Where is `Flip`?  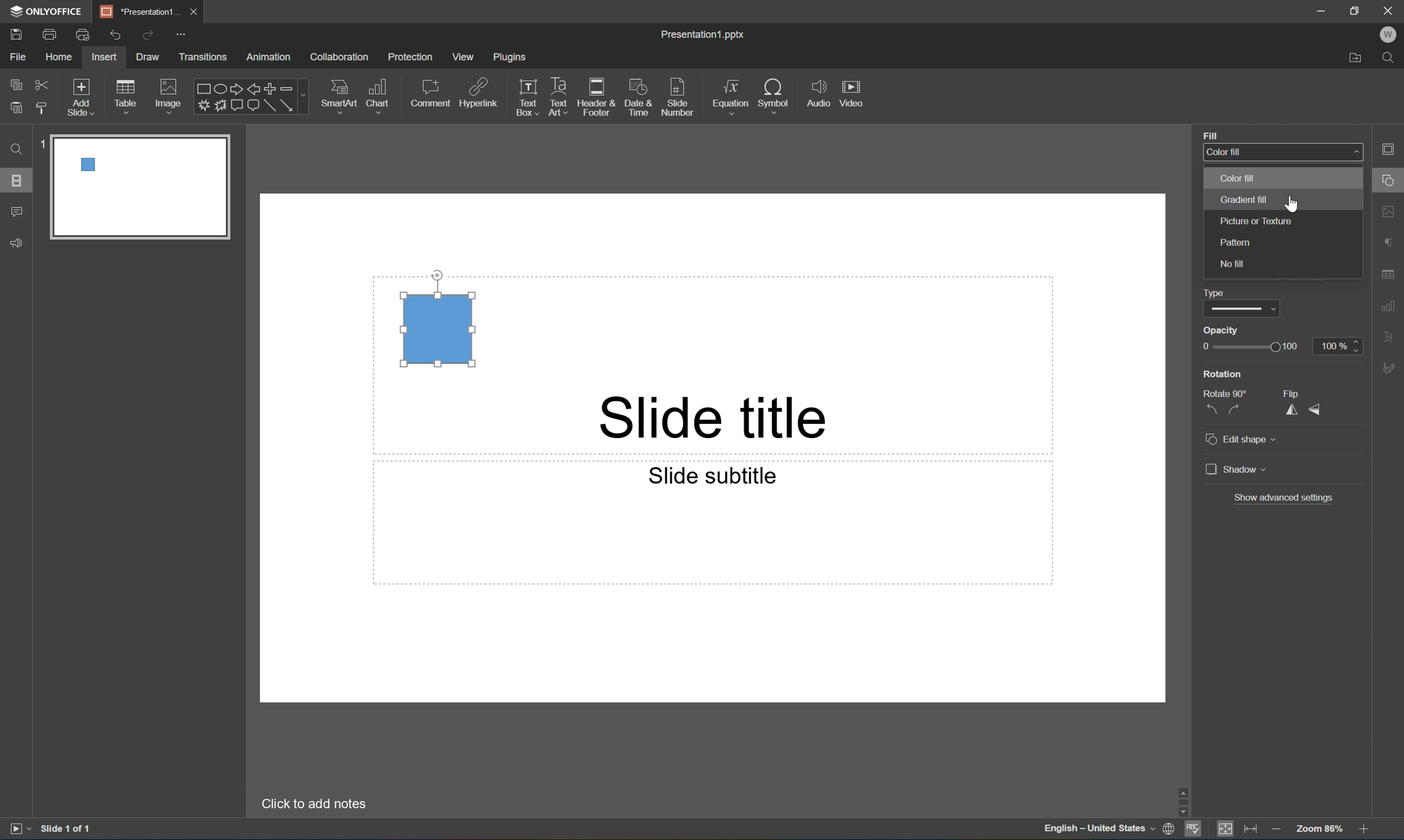
Flip is located at coordinates (1294, 393).